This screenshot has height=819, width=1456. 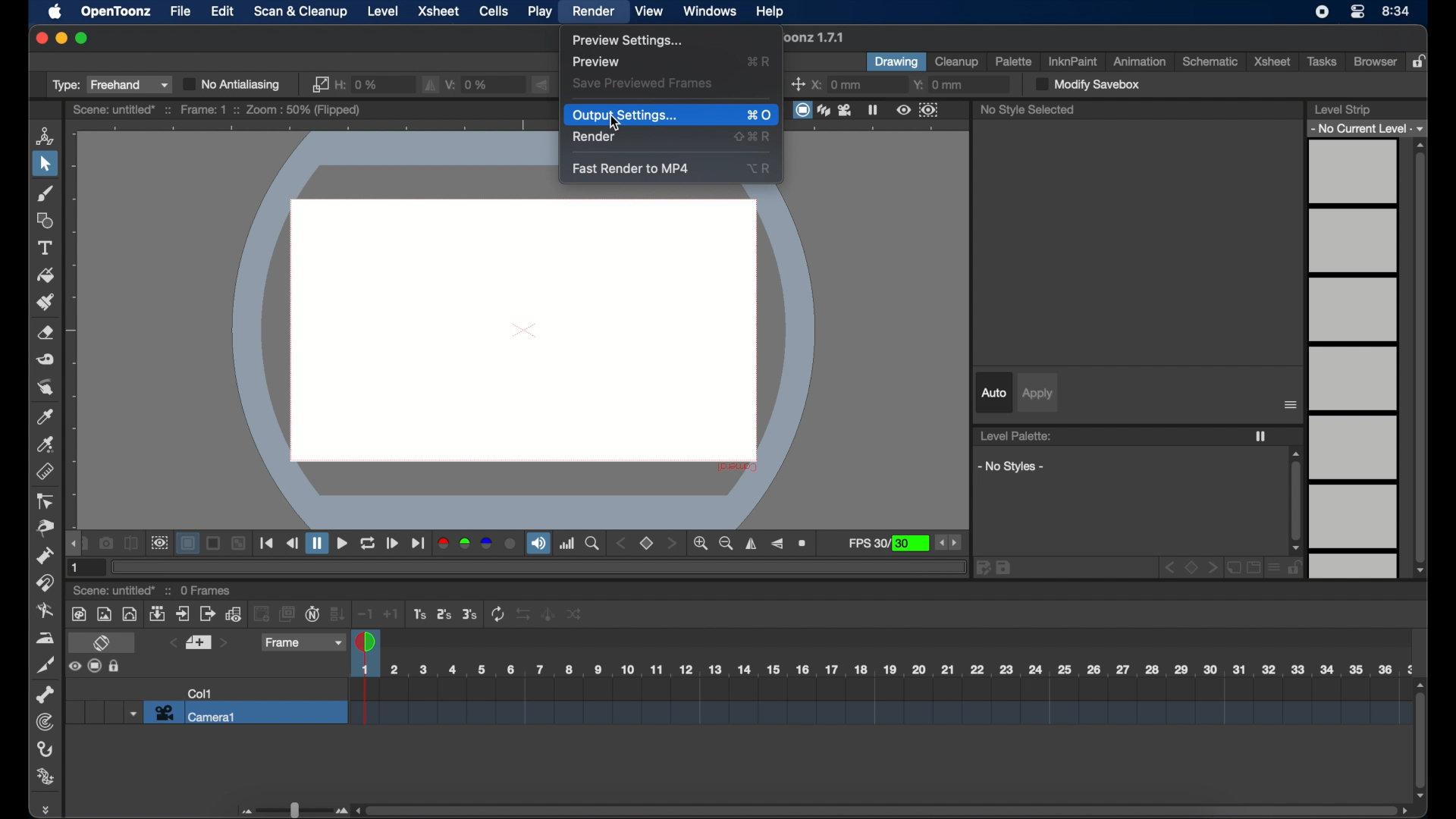 What do you see at coordinates (383, 11) in the screenshot?
I see `level` at bounding box center [383, 11].